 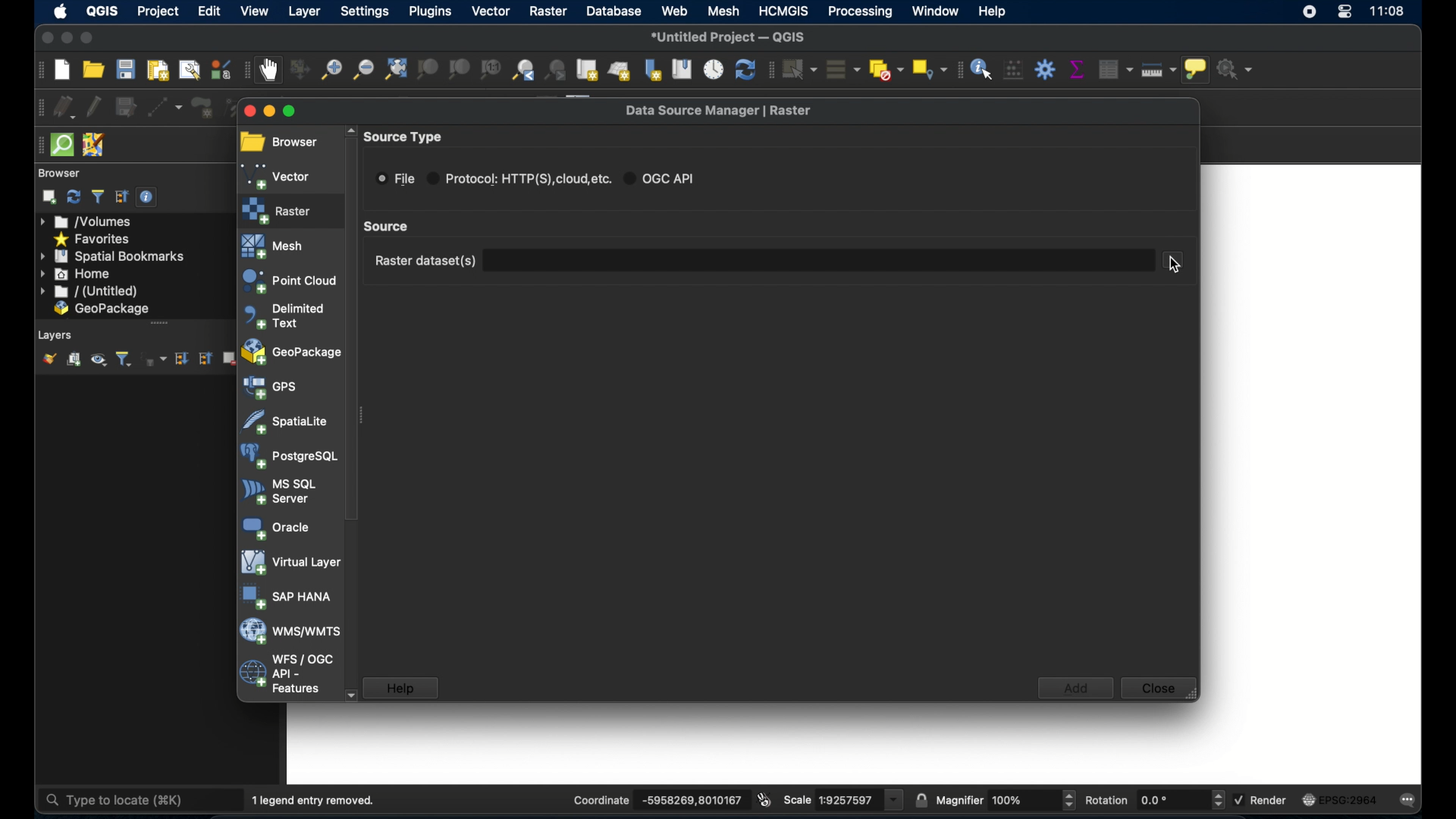 What do you see at coordinates (957, 70) in the screenshot?
I see `attribute toolbar` at bounding box center [957, 70].